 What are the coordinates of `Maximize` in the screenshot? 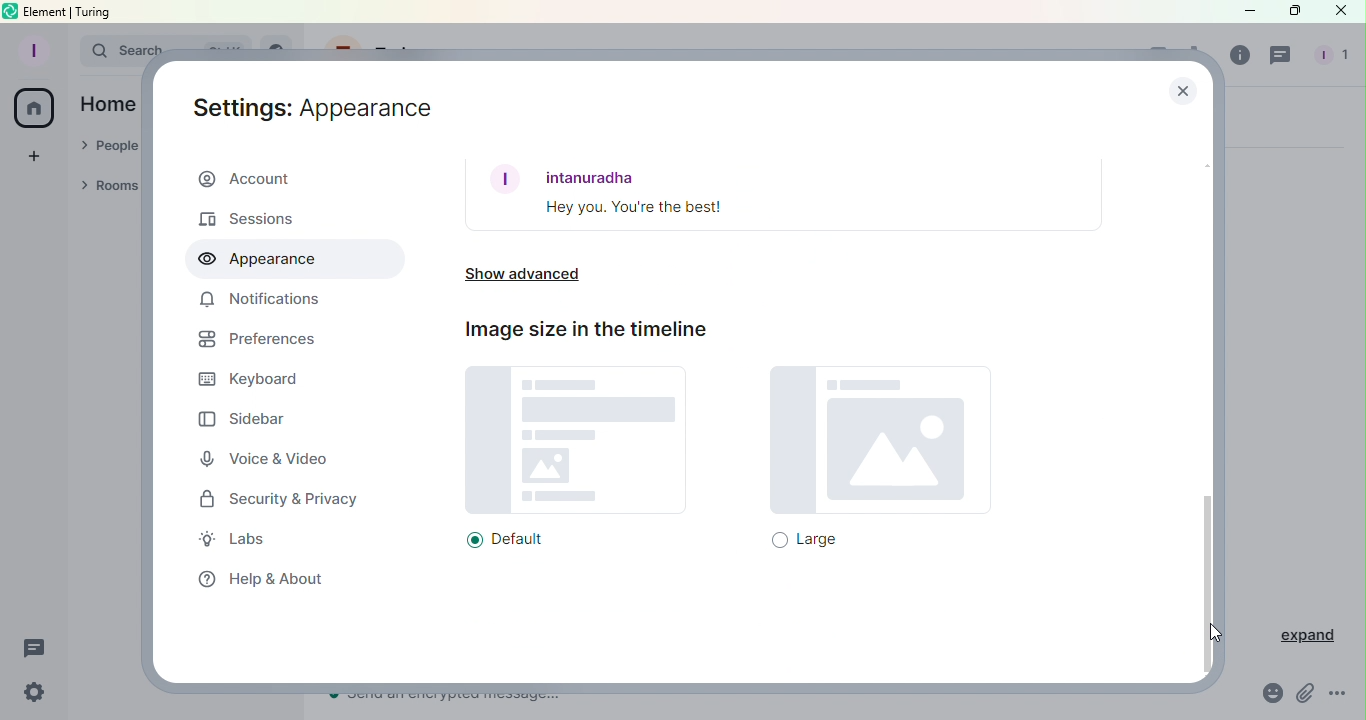 It's located at (1291, 12).